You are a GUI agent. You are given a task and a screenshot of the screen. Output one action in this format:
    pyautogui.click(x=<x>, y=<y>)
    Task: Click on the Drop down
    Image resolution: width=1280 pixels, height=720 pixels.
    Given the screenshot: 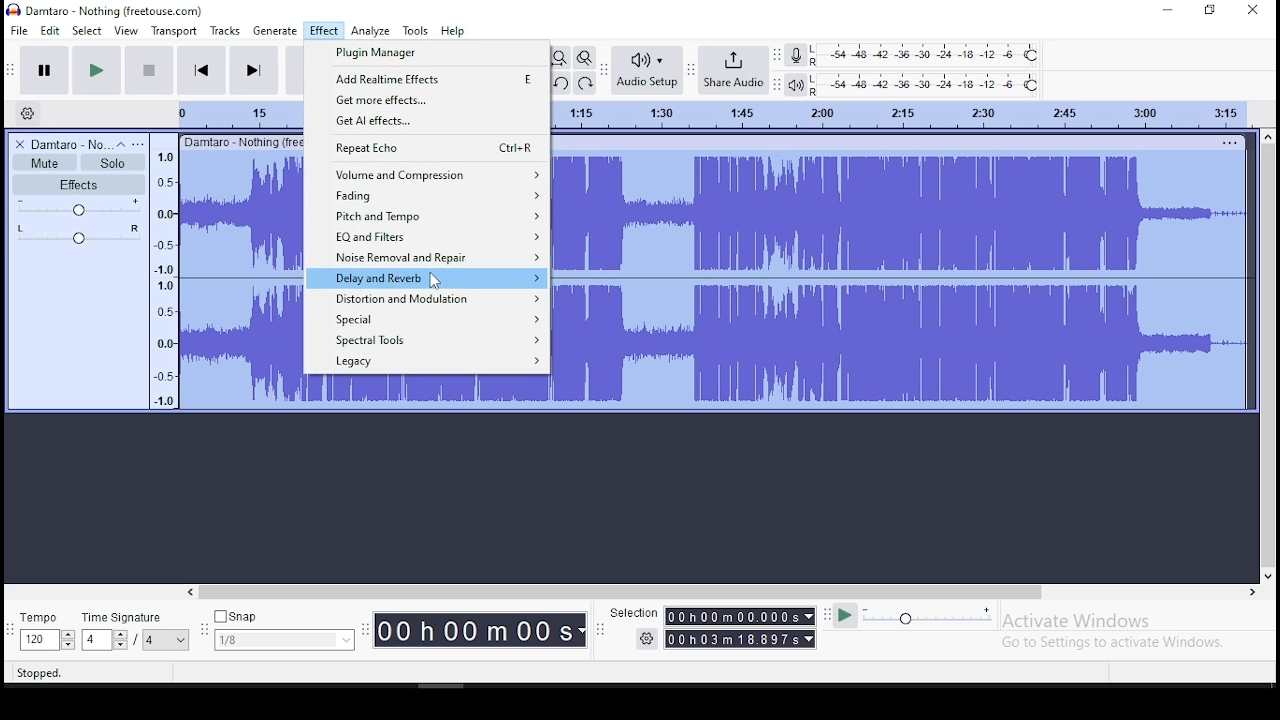 What is the action you would take?
    pyautogui.click(x=67, y=641)
    